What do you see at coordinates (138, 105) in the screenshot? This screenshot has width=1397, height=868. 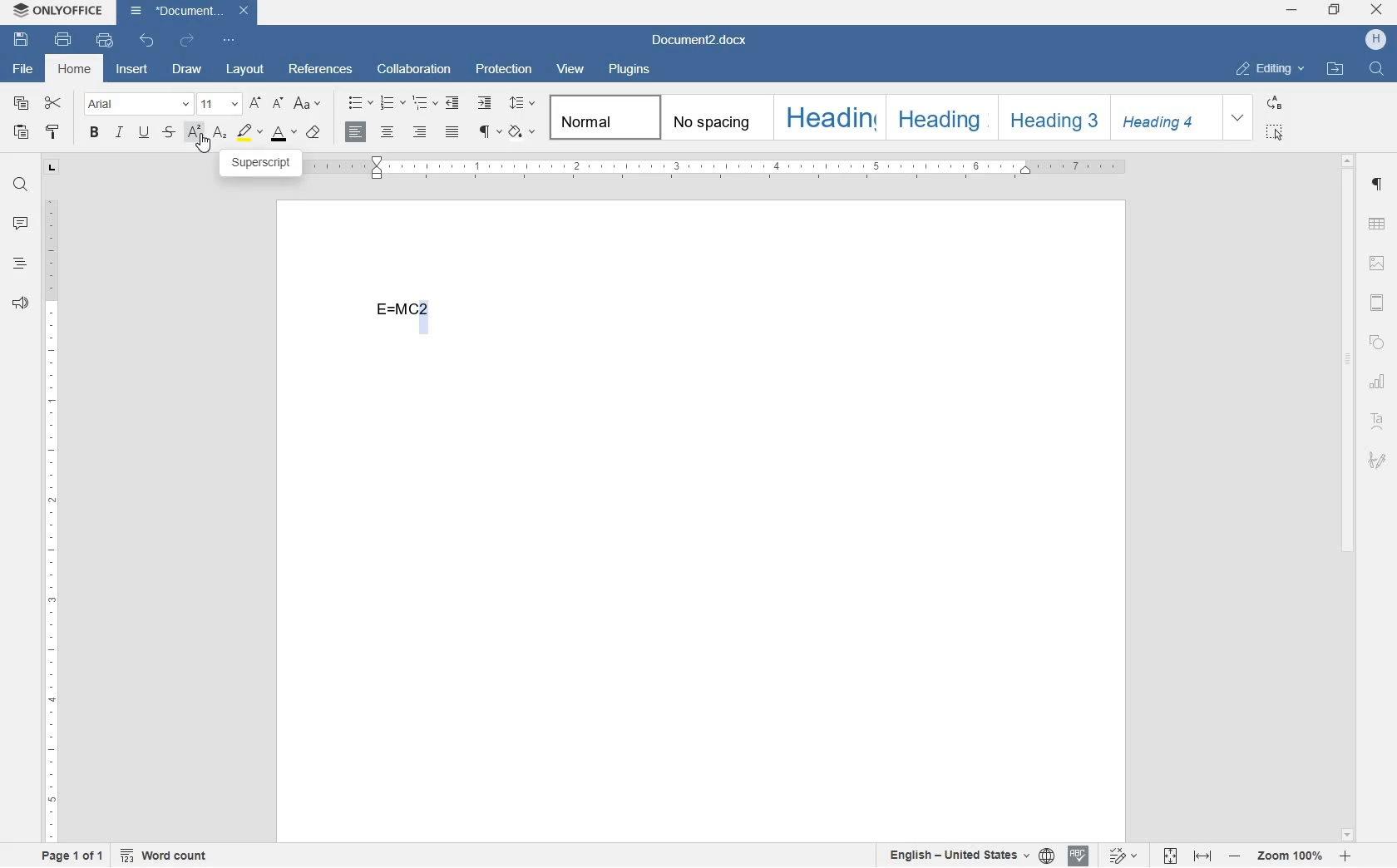 I see `font name` at bounding box center [138, 105].